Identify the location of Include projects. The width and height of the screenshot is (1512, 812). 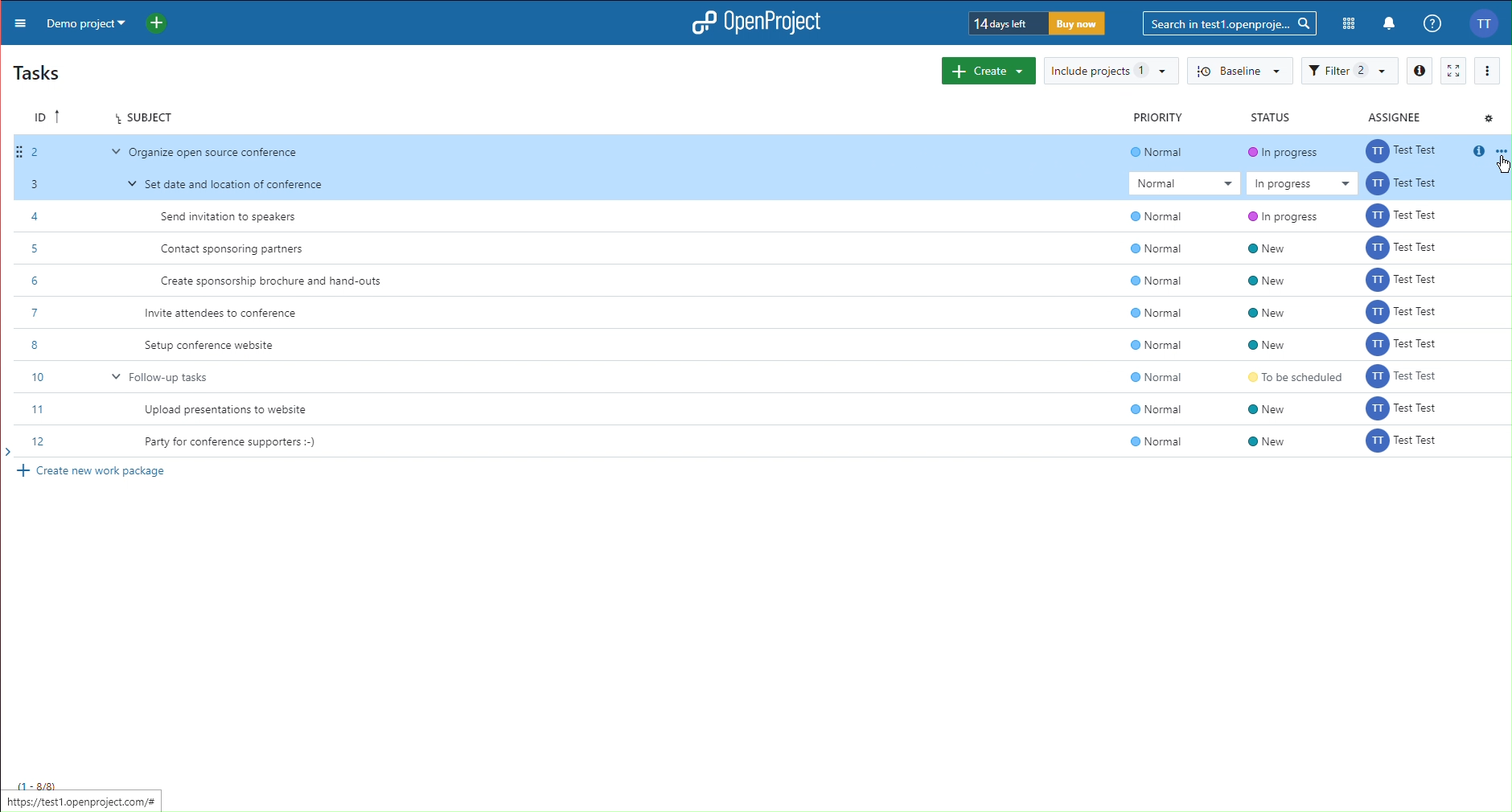
(1110, 72).